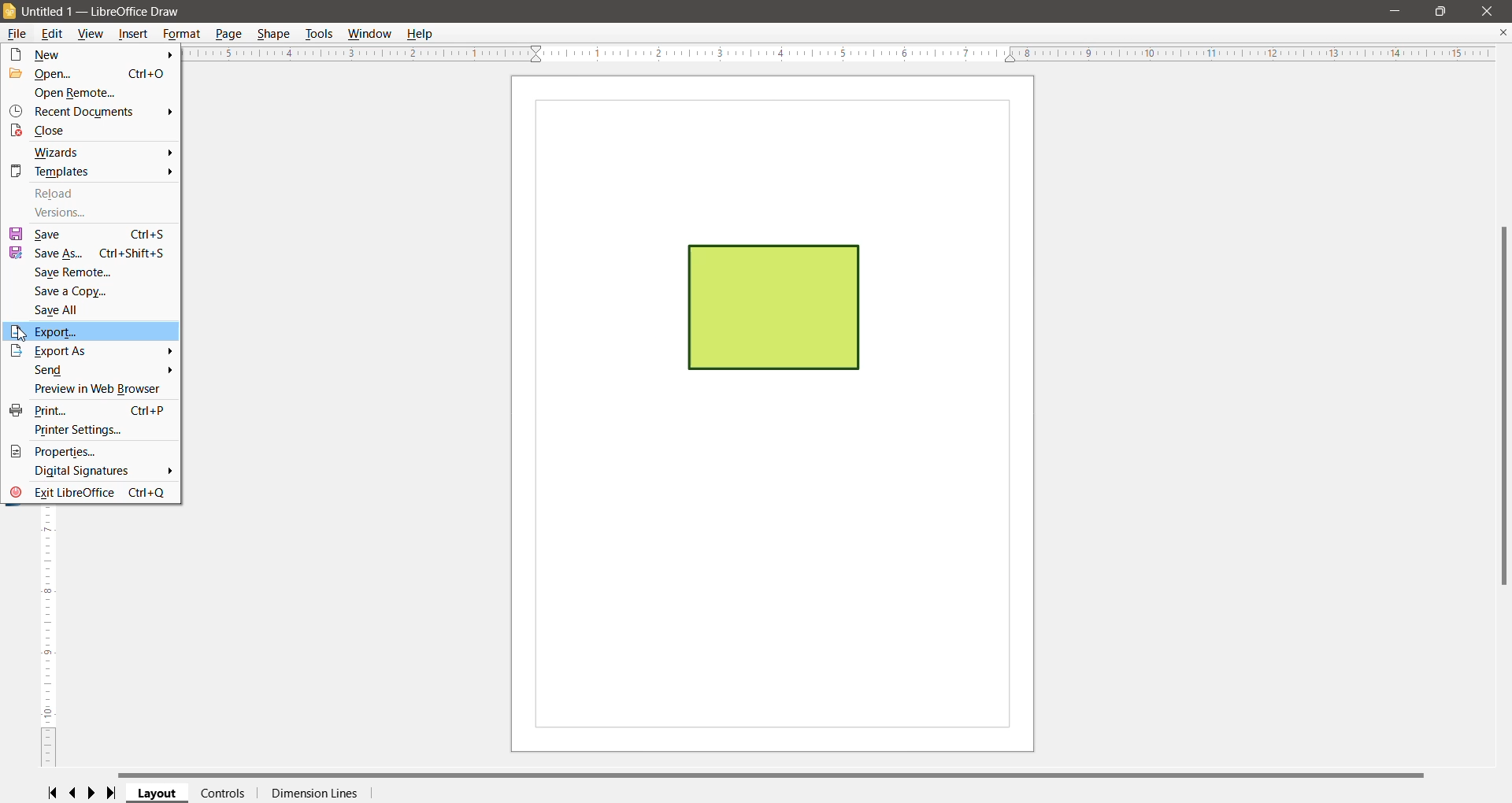  What do you see at coordinates (231, 35) in the screenshot?
I see `Page` at bounding box center [231, 35].